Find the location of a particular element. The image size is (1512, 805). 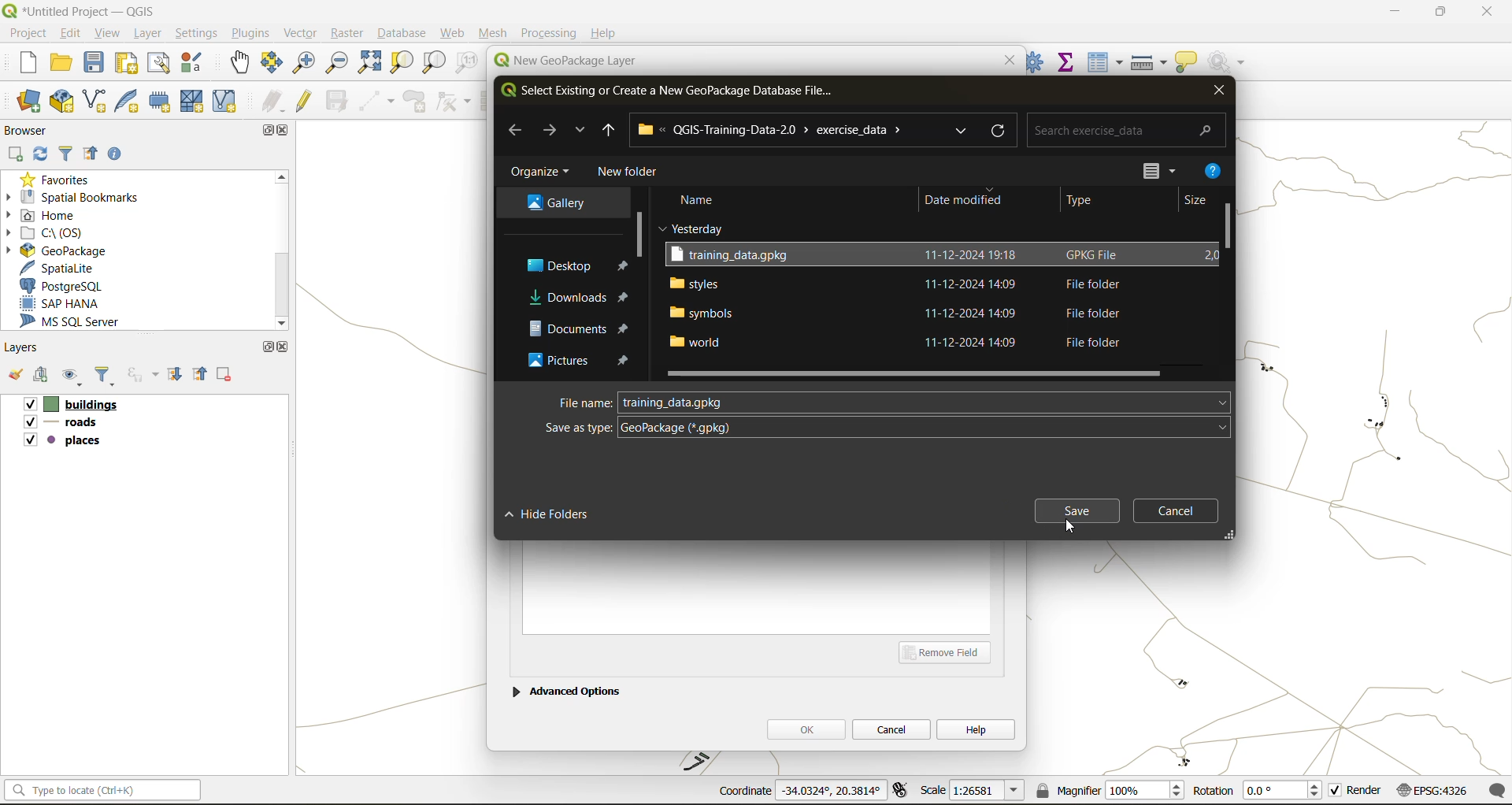

11-12-2024 19:18 is located at coordinates (972, 257).